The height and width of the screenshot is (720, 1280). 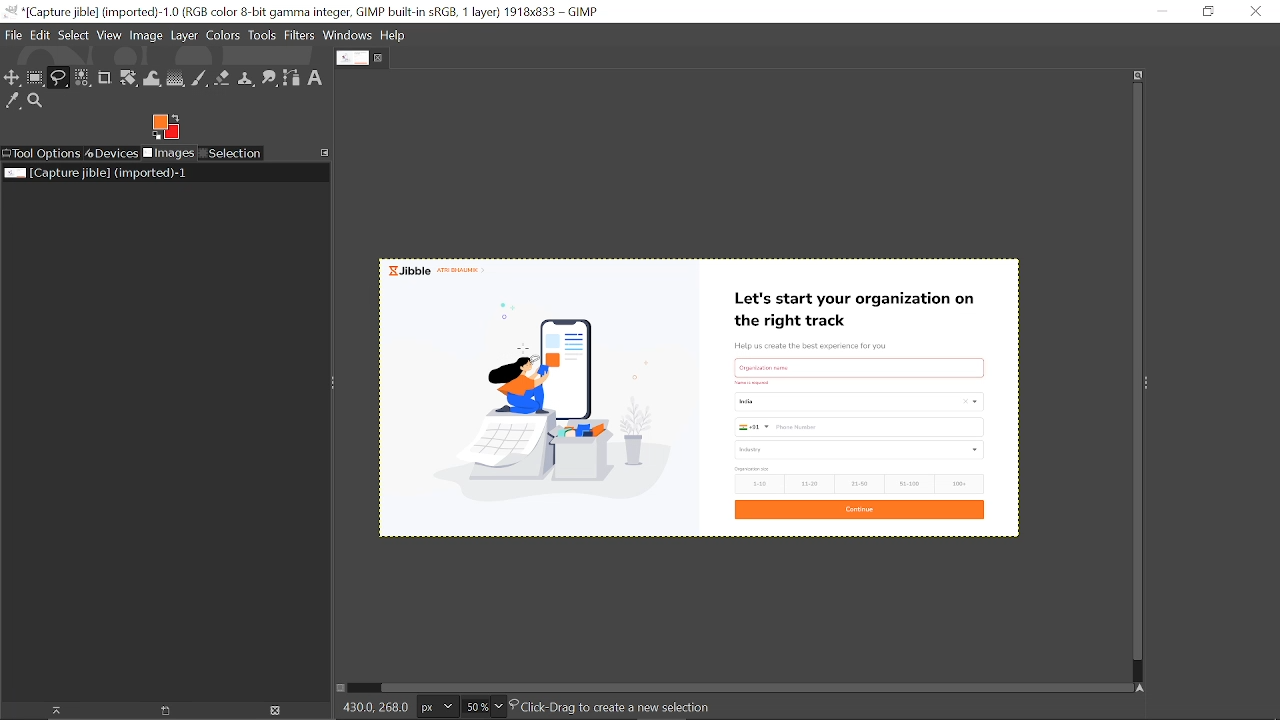 What do you see at coordinates (42, 35) in the screenshot?
I see `Edit` at bounding box center [42, 35].